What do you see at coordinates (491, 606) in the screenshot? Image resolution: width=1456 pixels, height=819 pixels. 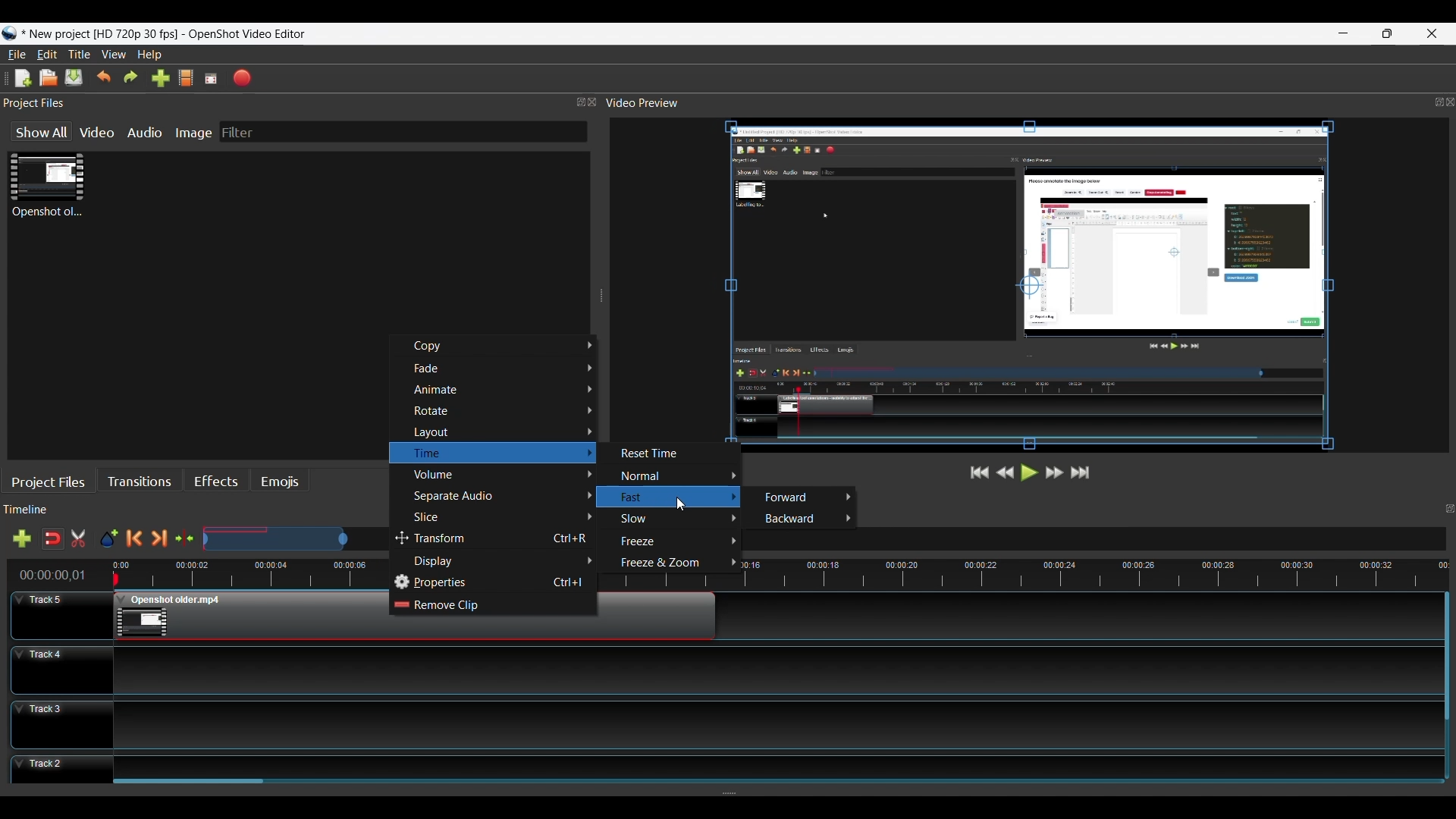 I see `Remove Clip` at bounding box center [491, 606].